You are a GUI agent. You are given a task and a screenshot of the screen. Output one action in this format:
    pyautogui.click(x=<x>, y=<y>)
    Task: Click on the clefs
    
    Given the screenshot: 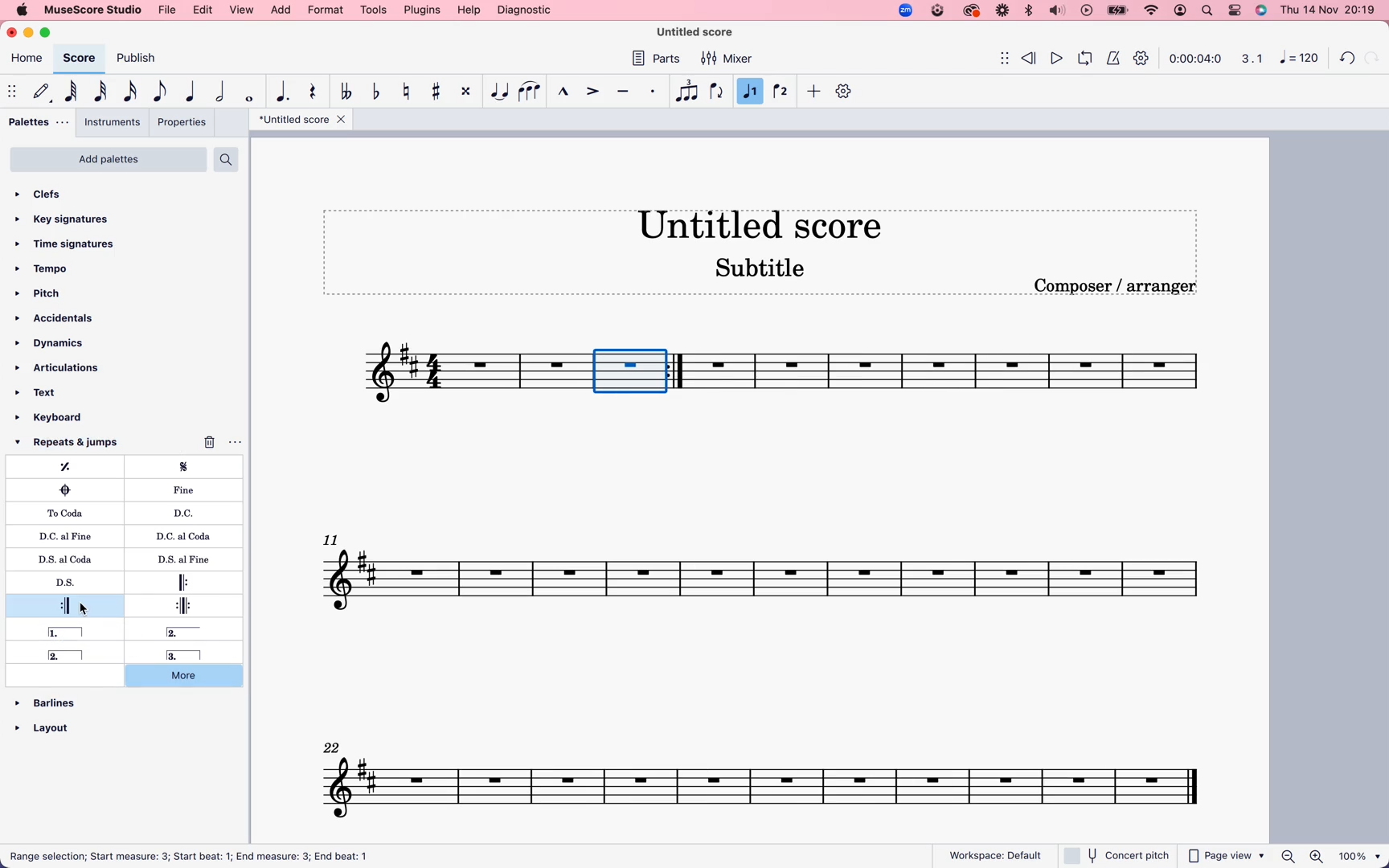 What is the action you would take?
    pyautogui.click(x=59, y=196)
    